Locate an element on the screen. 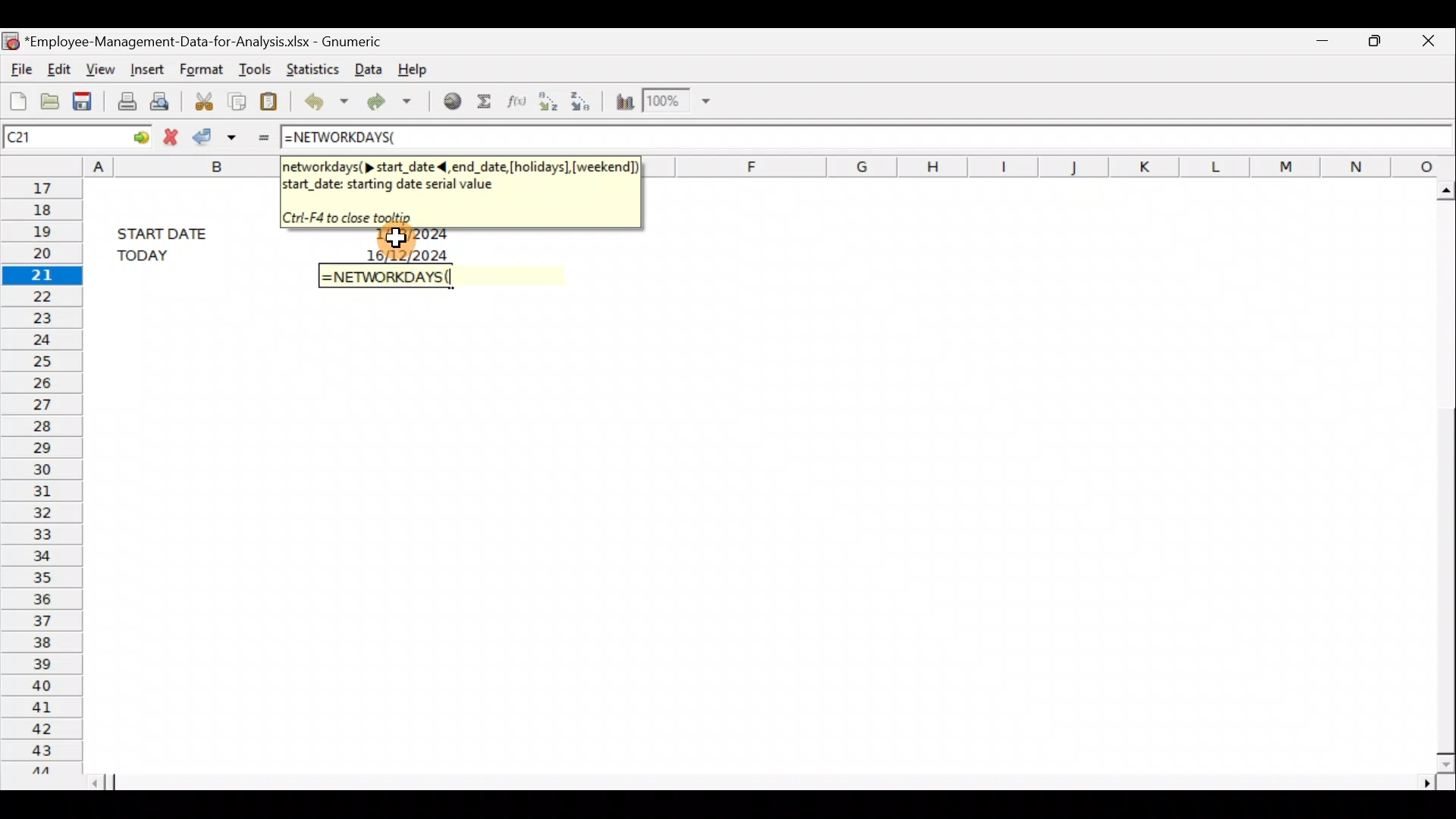 This screenshot has height=819, width=1456. Close is located at coordinates (1425, 42).